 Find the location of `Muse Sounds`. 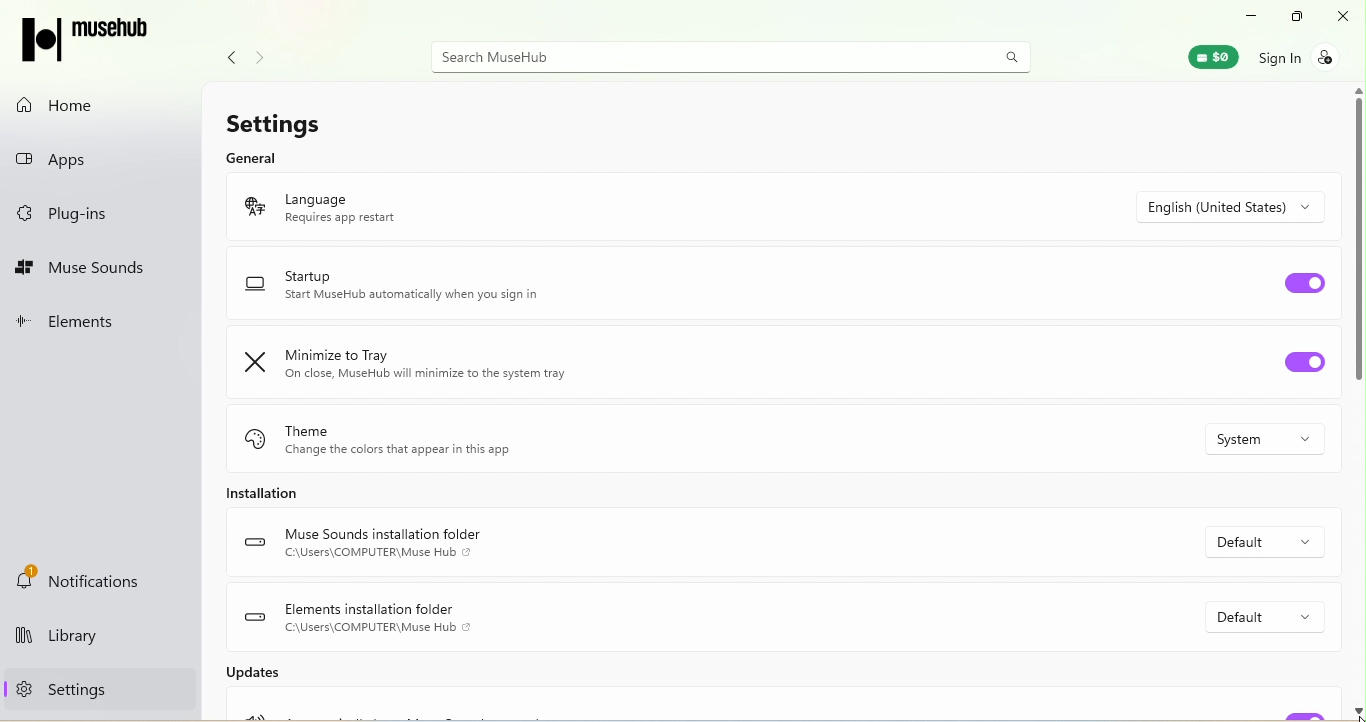

Muse Sounds is located at coordinates (97, 266).